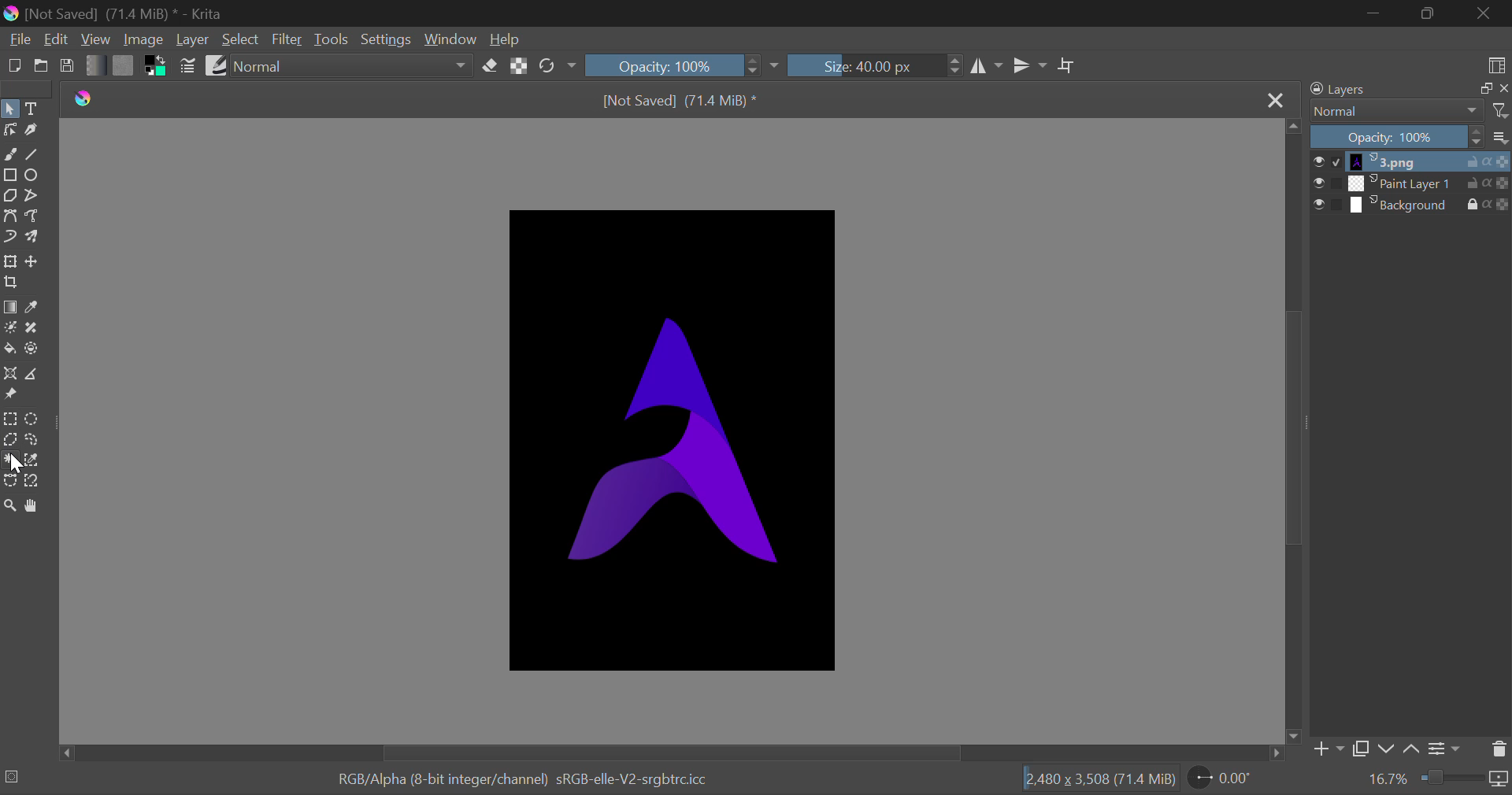  What do you see at coordinates (666, 438) in the screenshot?
I see `Image Workspace` at bounding box center [666, 438].